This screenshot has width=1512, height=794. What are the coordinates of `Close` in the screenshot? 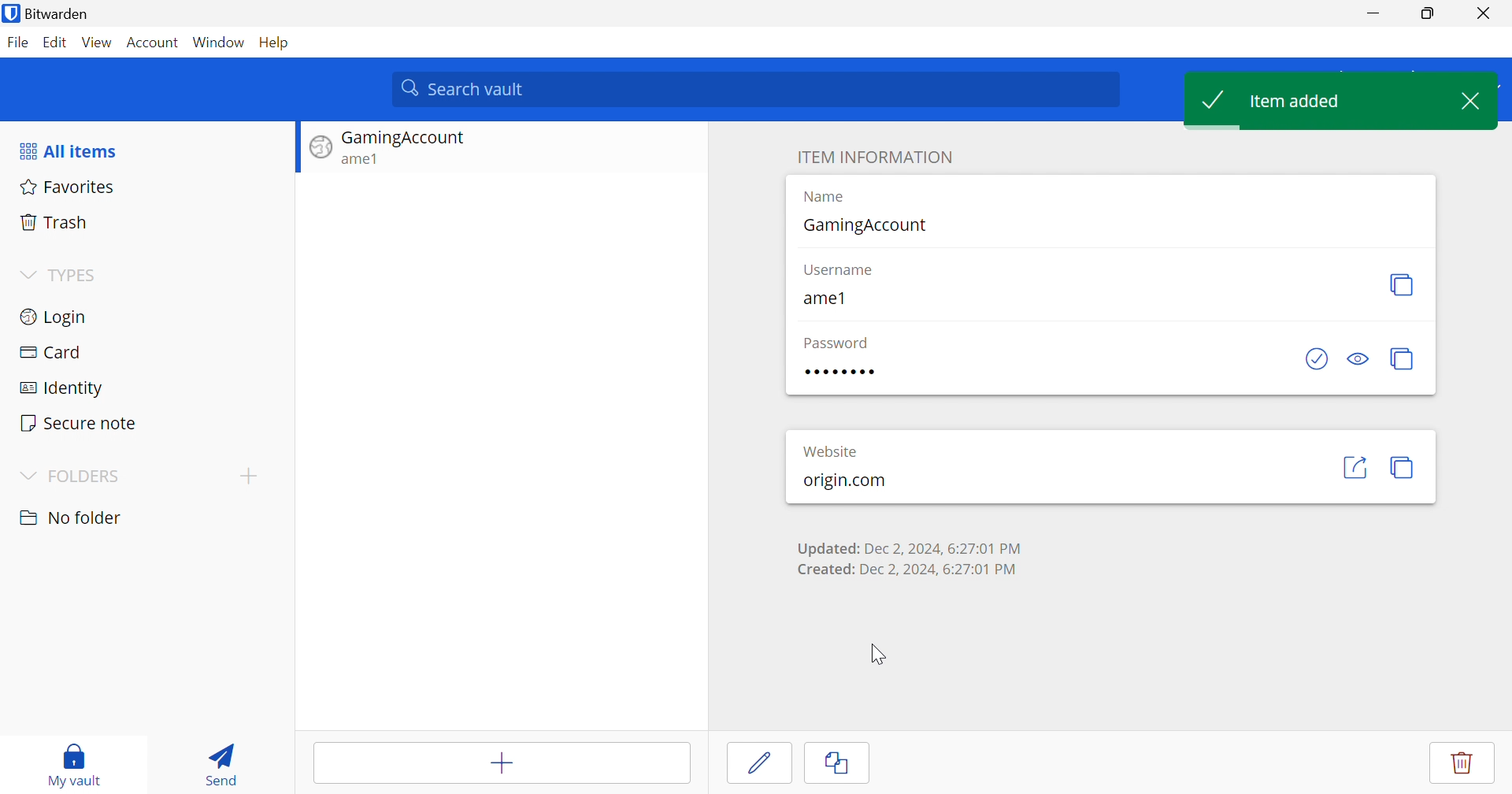 It's located at (1486, 15).